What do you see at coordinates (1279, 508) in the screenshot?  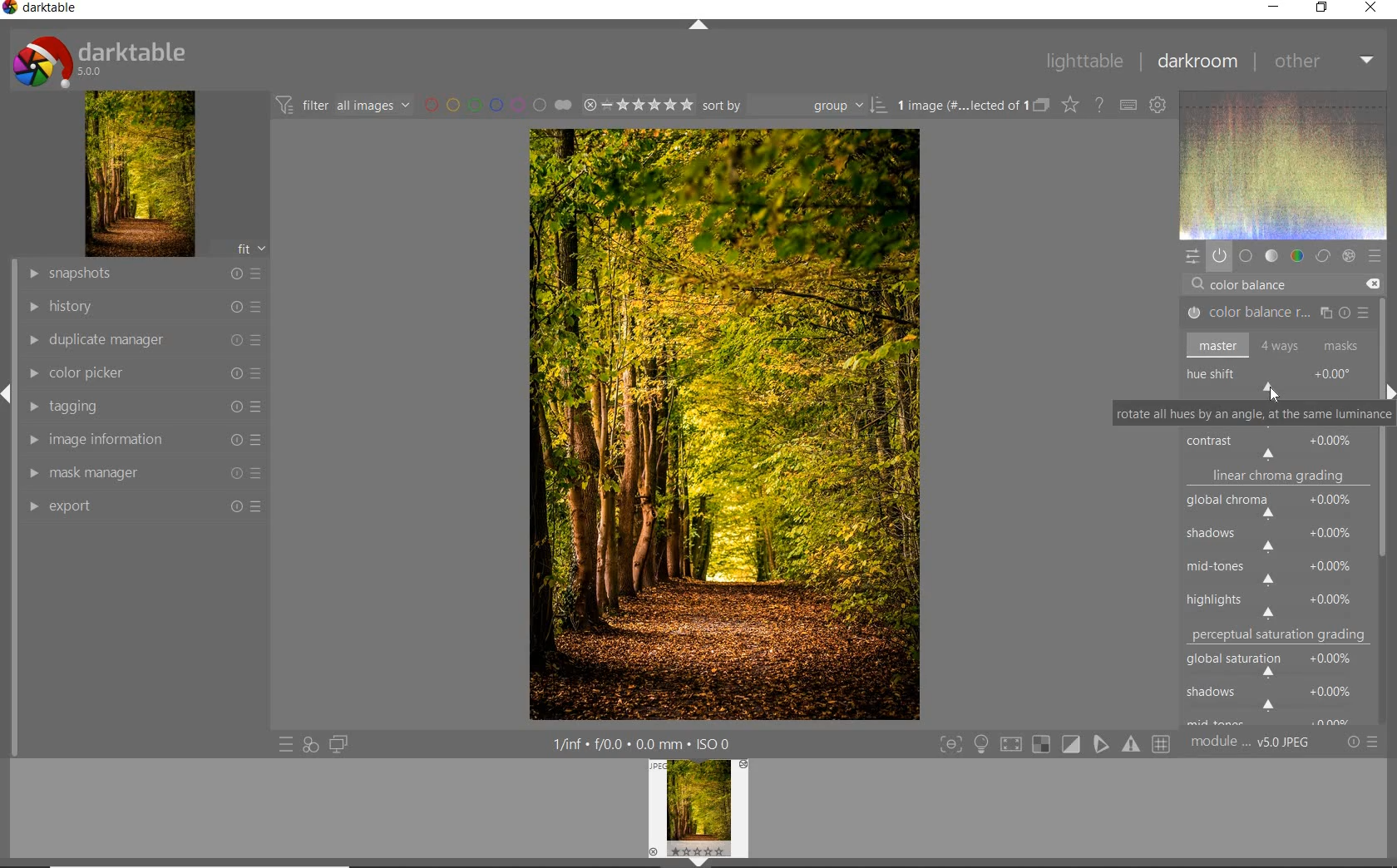 I see `global chroma` at bounding box center [1279, 508].